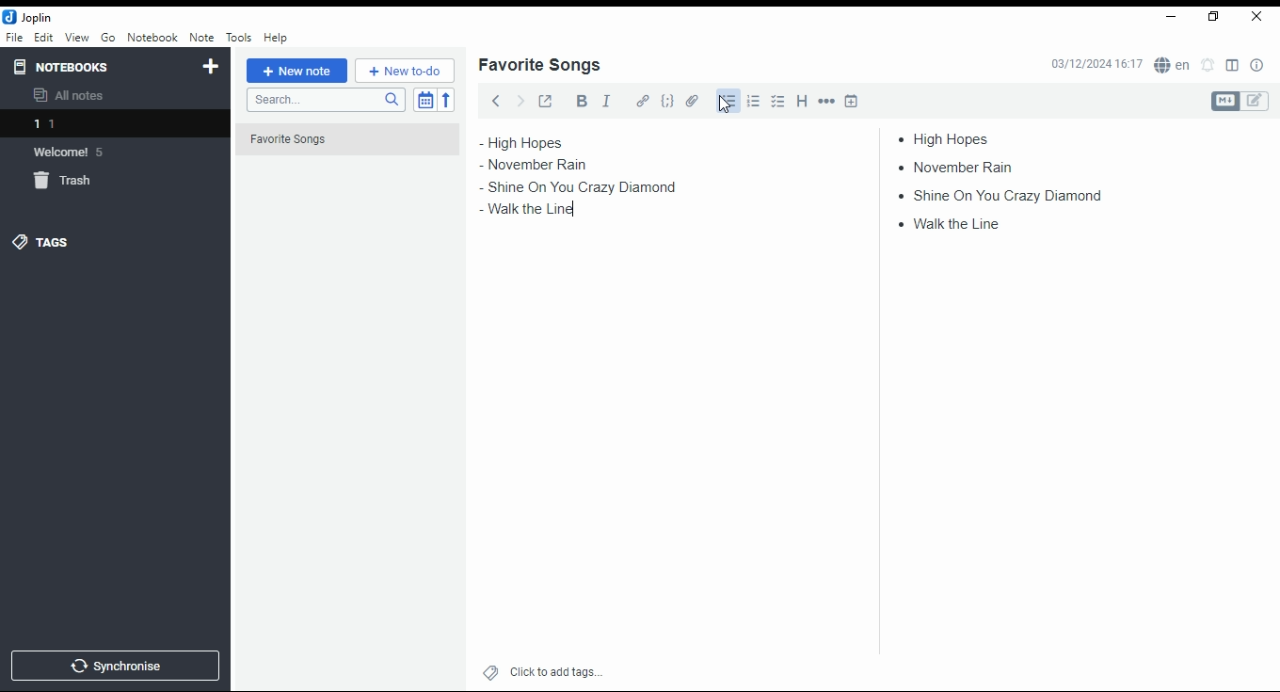 The width and height of the screenshot is (1280, 692). Describe the element at coordinates (606, 100) in the screenshot. I see `italics` at that location.